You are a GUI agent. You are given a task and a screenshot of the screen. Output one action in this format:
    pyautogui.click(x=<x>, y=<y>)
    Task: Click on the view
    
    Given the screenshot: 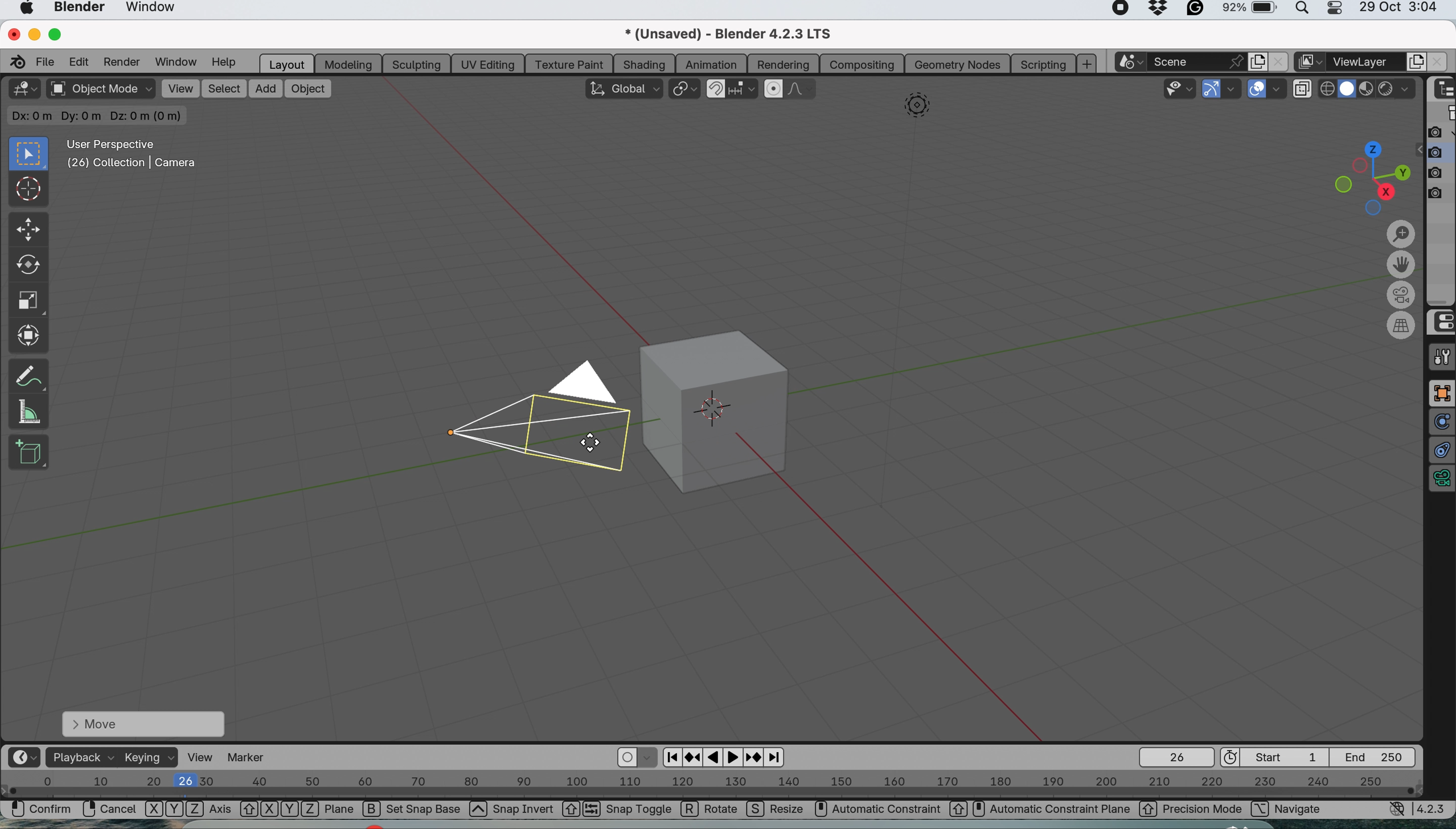 What is the action you would take?
    pyautogui.click(x=180, y=88)
    